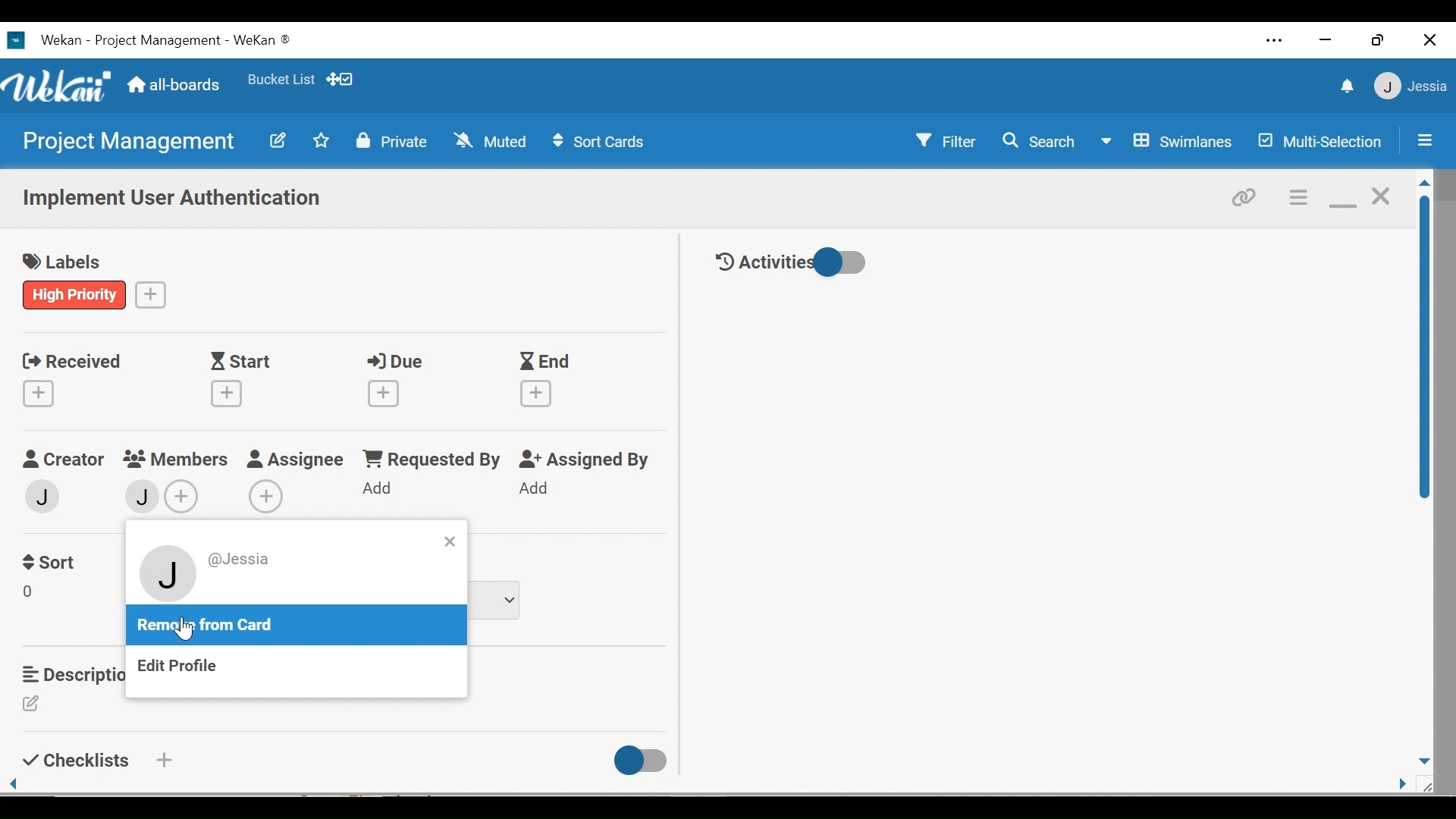 The height and width of the screenshot is (819, 1456). What do you see at coordinates (1423, 140) in the screenshot?
I see `open/close side pane` at bounding box center [1423, 140].